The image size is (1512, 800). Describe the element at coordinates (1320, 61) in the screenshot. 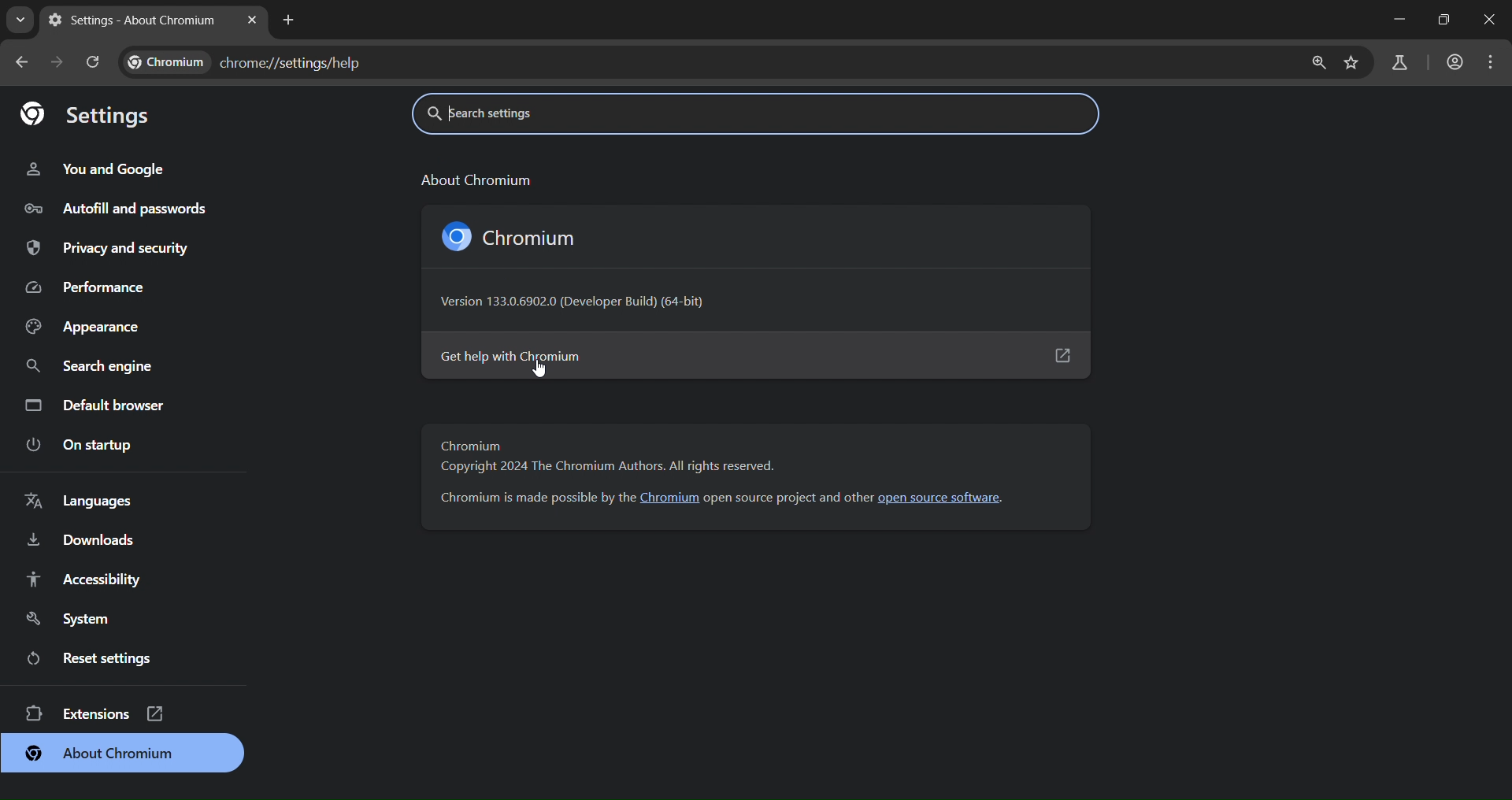

I see `zoom` at that location.